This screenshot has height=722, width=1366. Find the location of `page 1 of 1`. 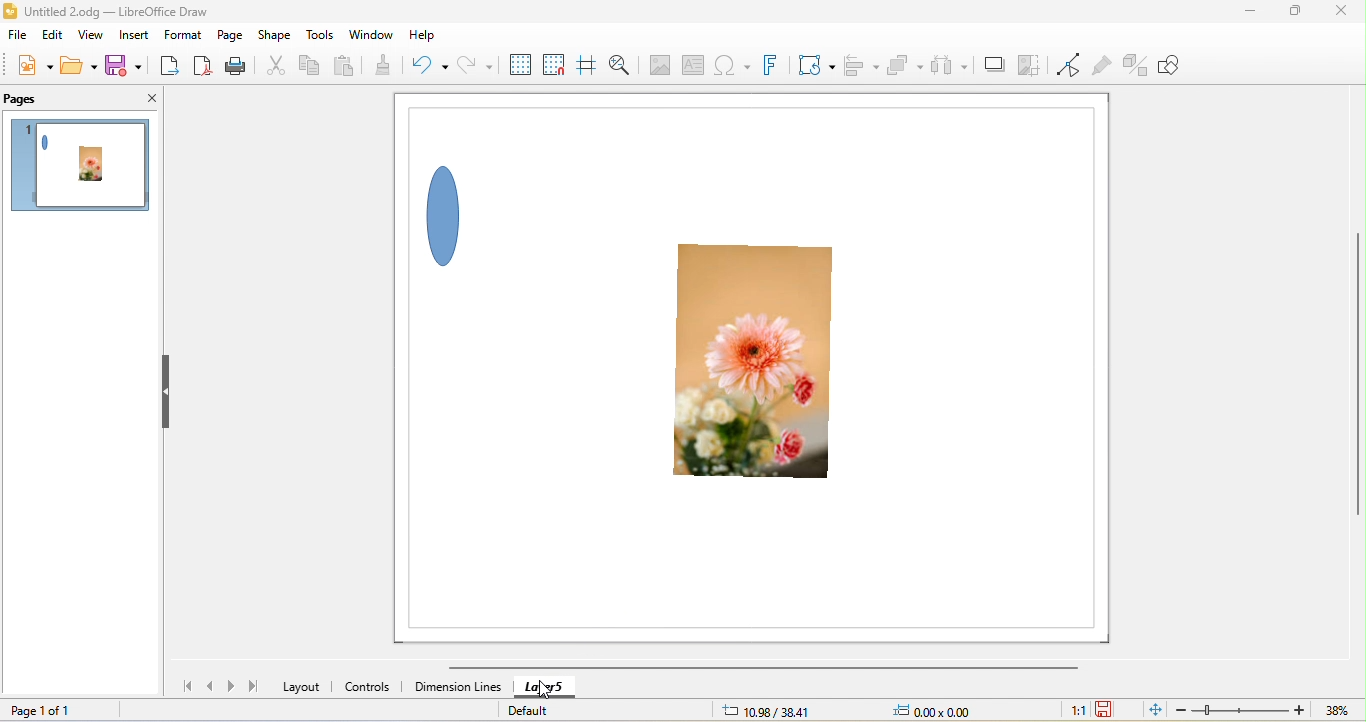

page 1 of 1 is located at coordinates (41, 710).